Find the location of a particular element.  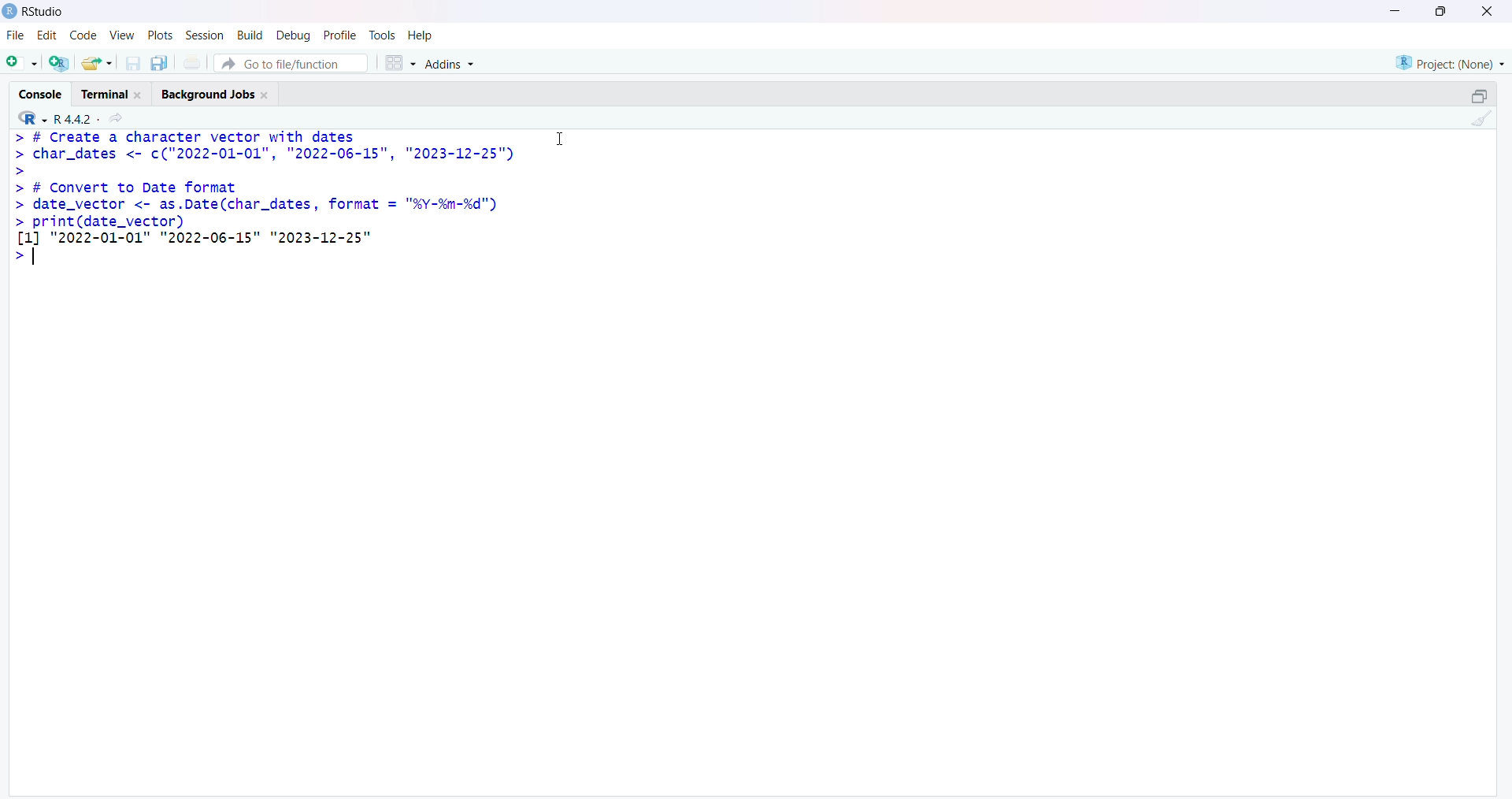

Build is located at coordinates (246, 36).